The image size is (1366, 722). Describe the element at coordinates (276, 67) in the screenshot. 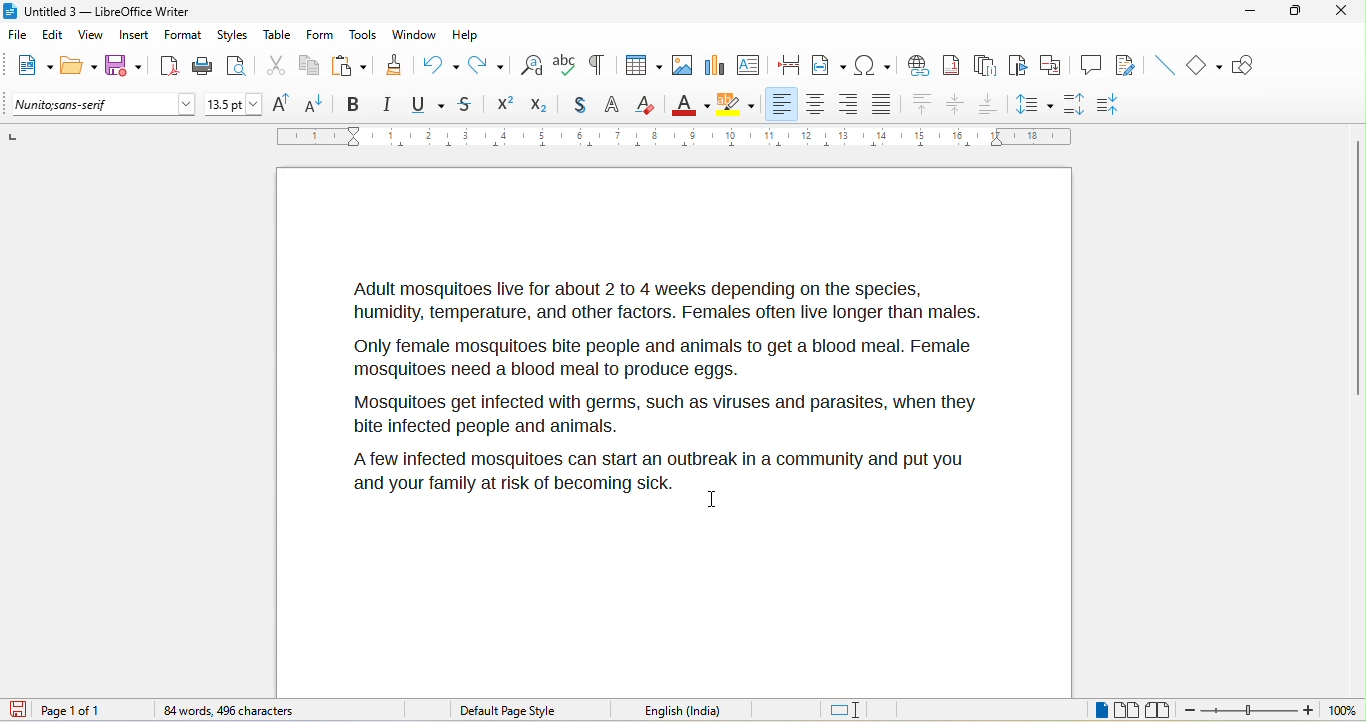

I see `cut` at that location.